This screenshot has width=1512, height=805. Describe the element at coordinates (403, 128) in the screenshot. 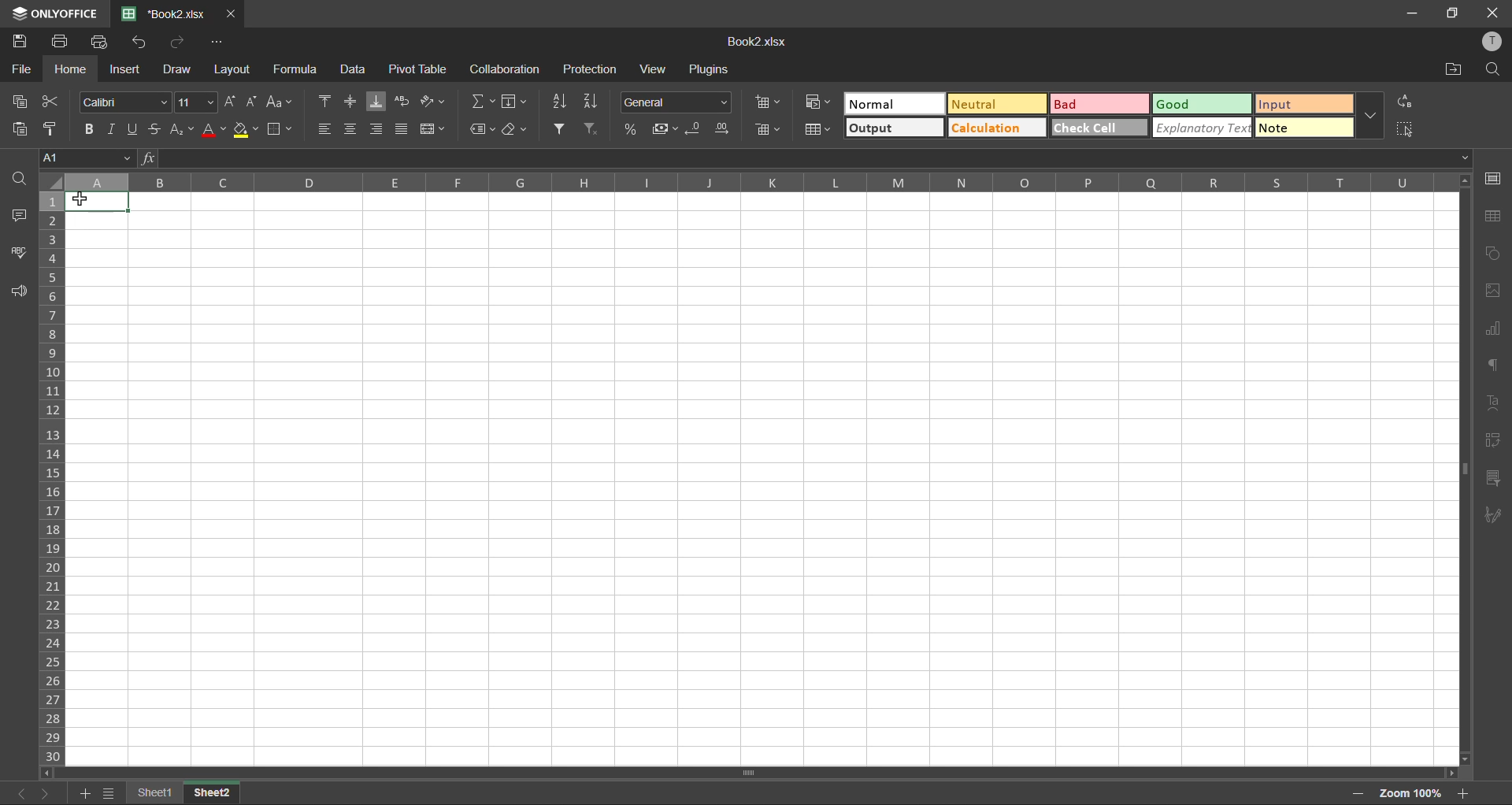

I see `justified` at that location.